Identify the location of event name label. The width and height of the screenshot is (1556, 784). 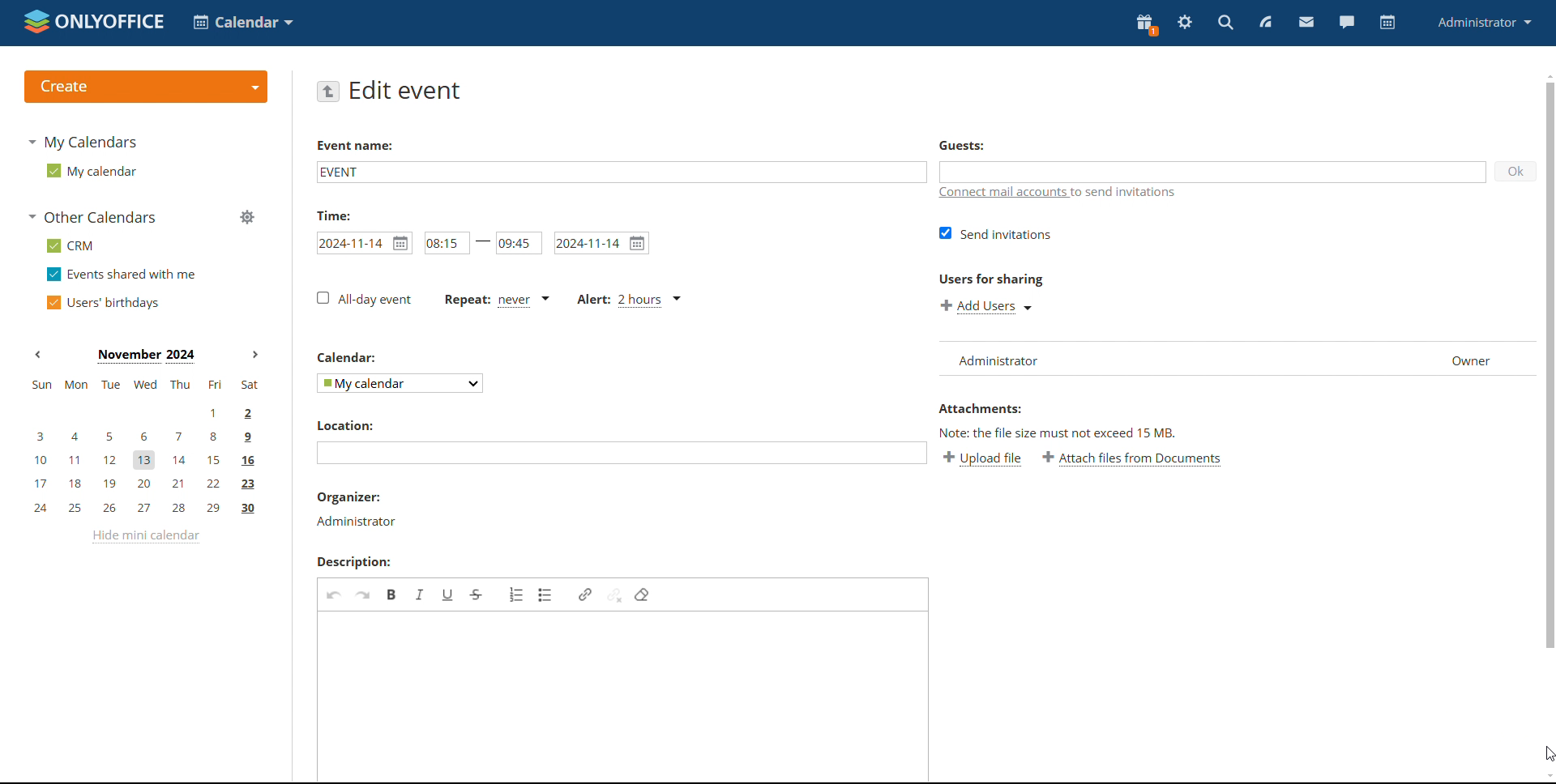
(359, 147).